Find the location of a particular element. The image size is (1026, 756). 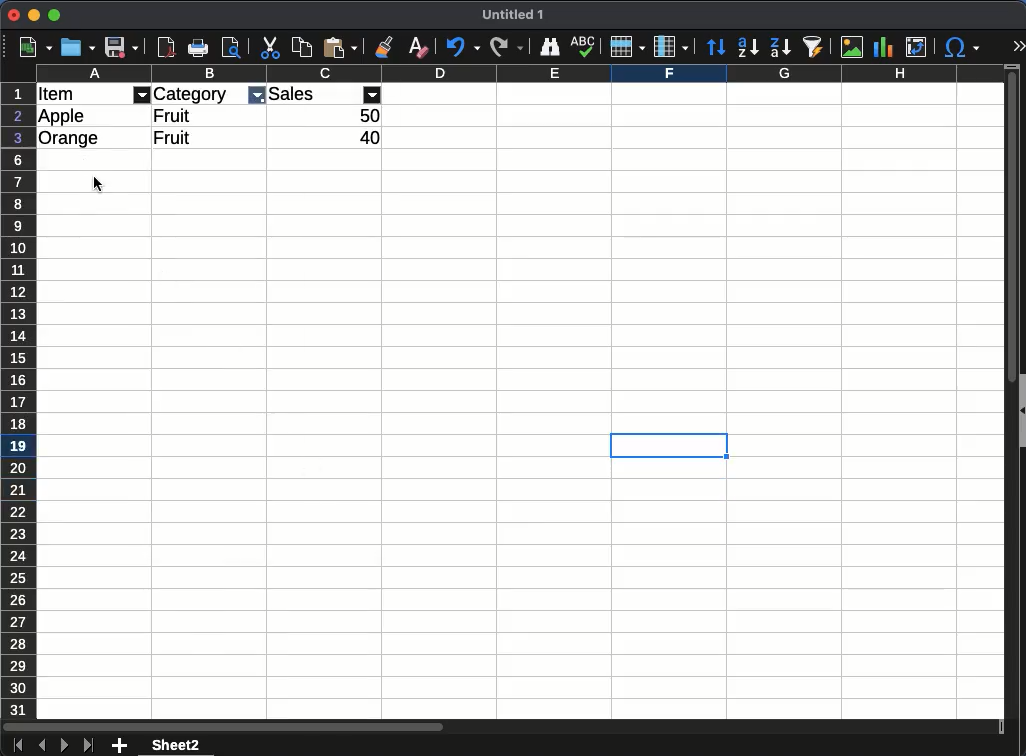

redo is located at coordinates (506, 48).